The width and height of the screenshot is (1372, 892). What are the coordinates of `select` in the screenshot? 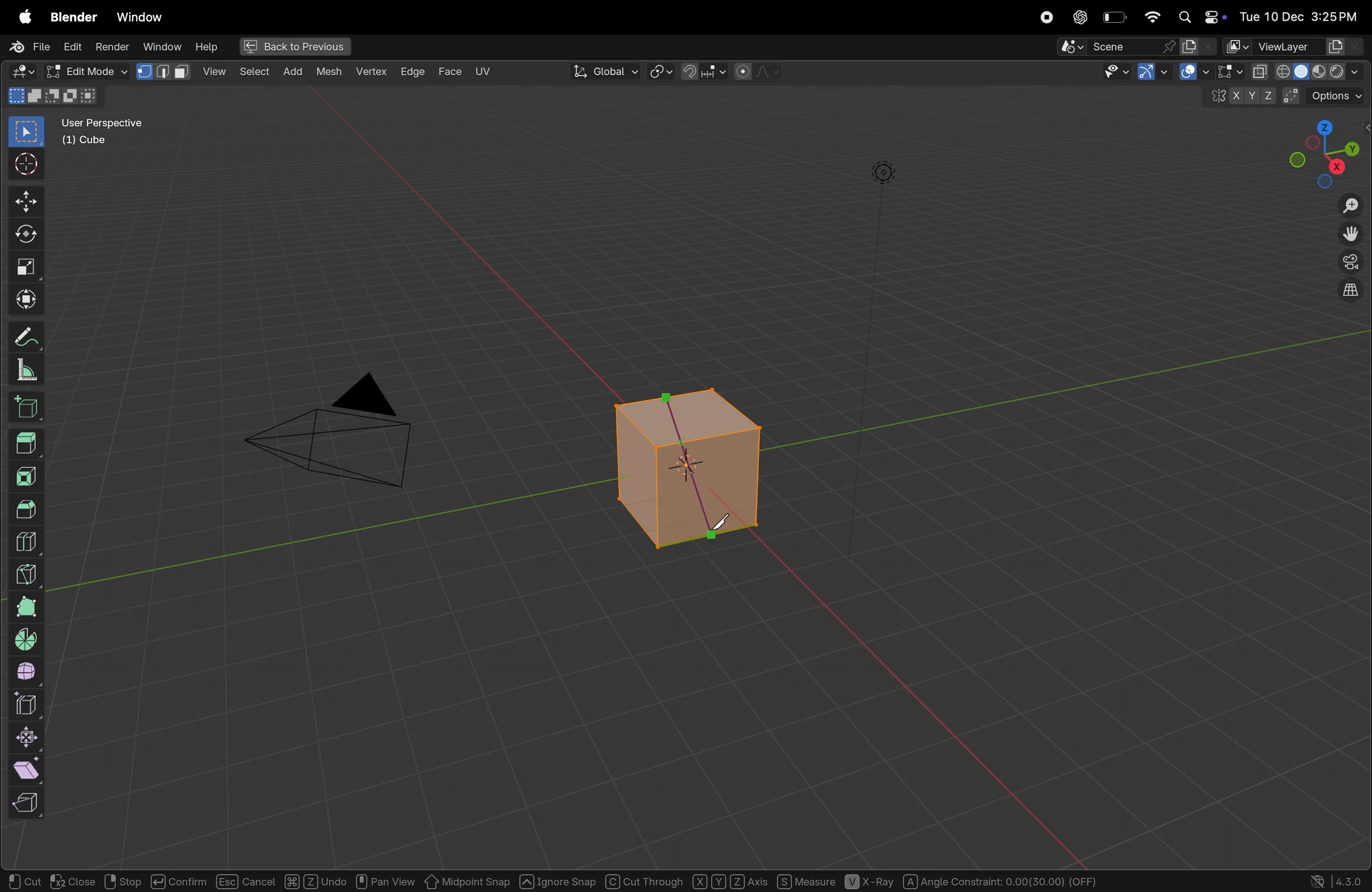 It's located at (22, 133).